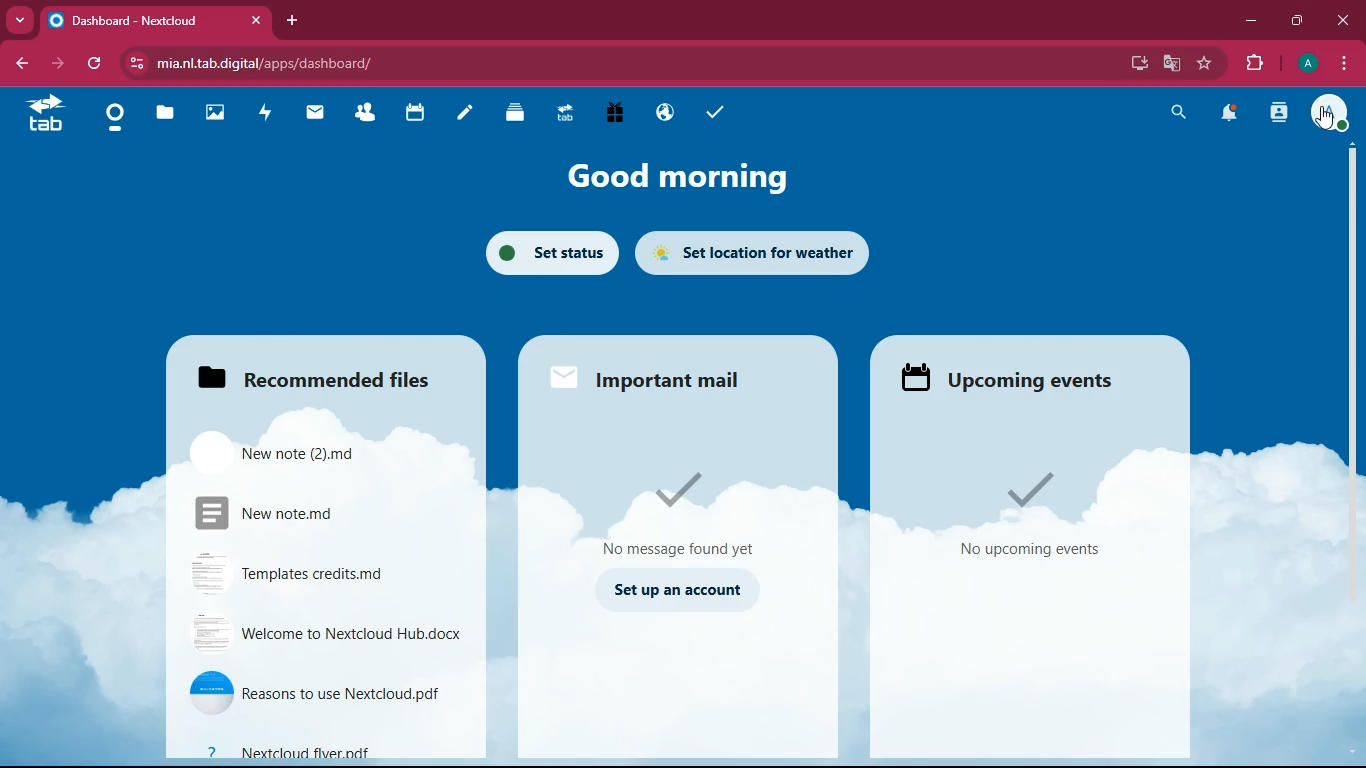  Describe the element at coordinates (162, 116) in the screenshot. I see `files` at that location.